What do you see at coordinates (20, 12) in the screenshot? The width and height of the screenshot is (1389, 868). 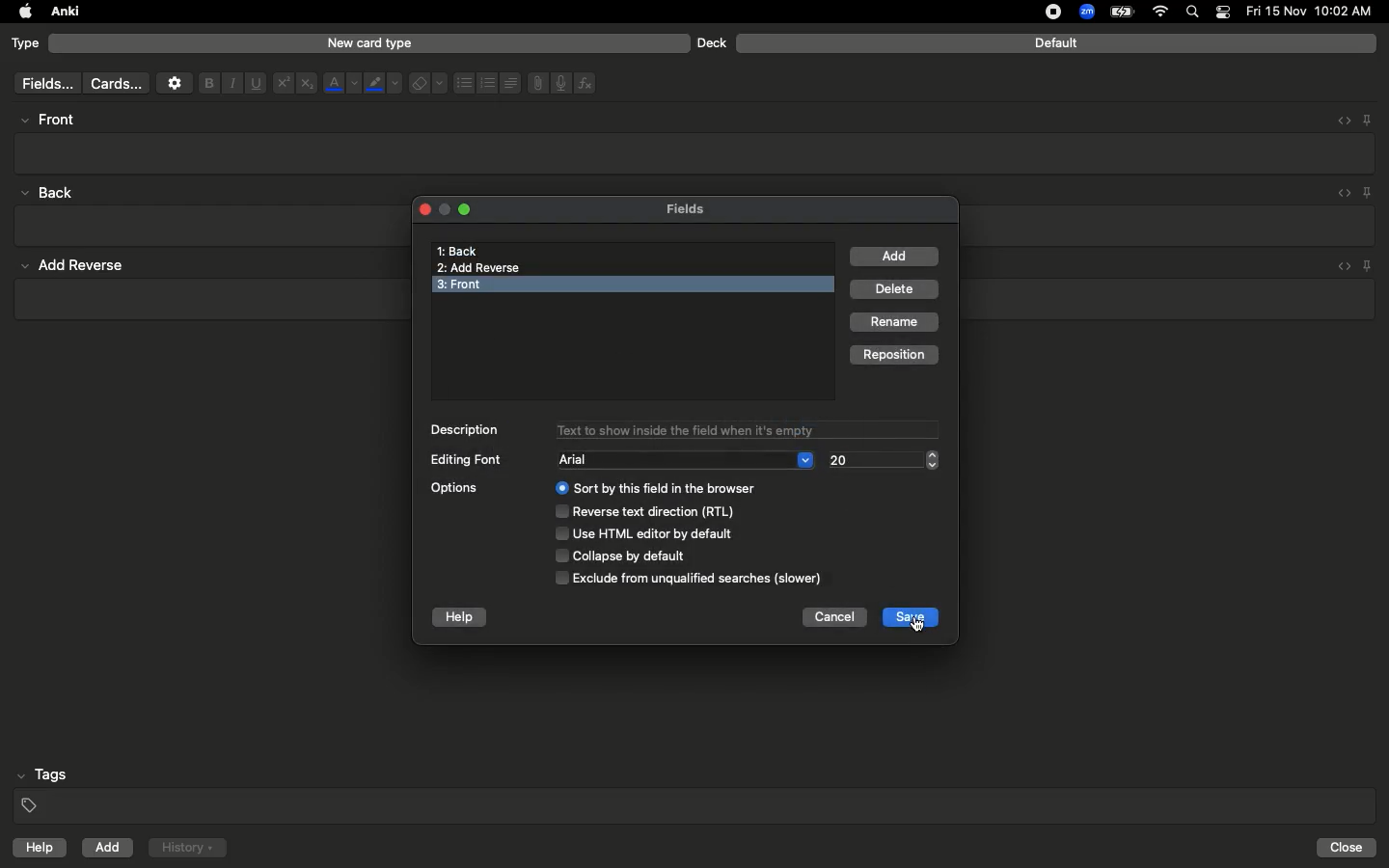 I see `apple logo` at bounding box center [20, 12].